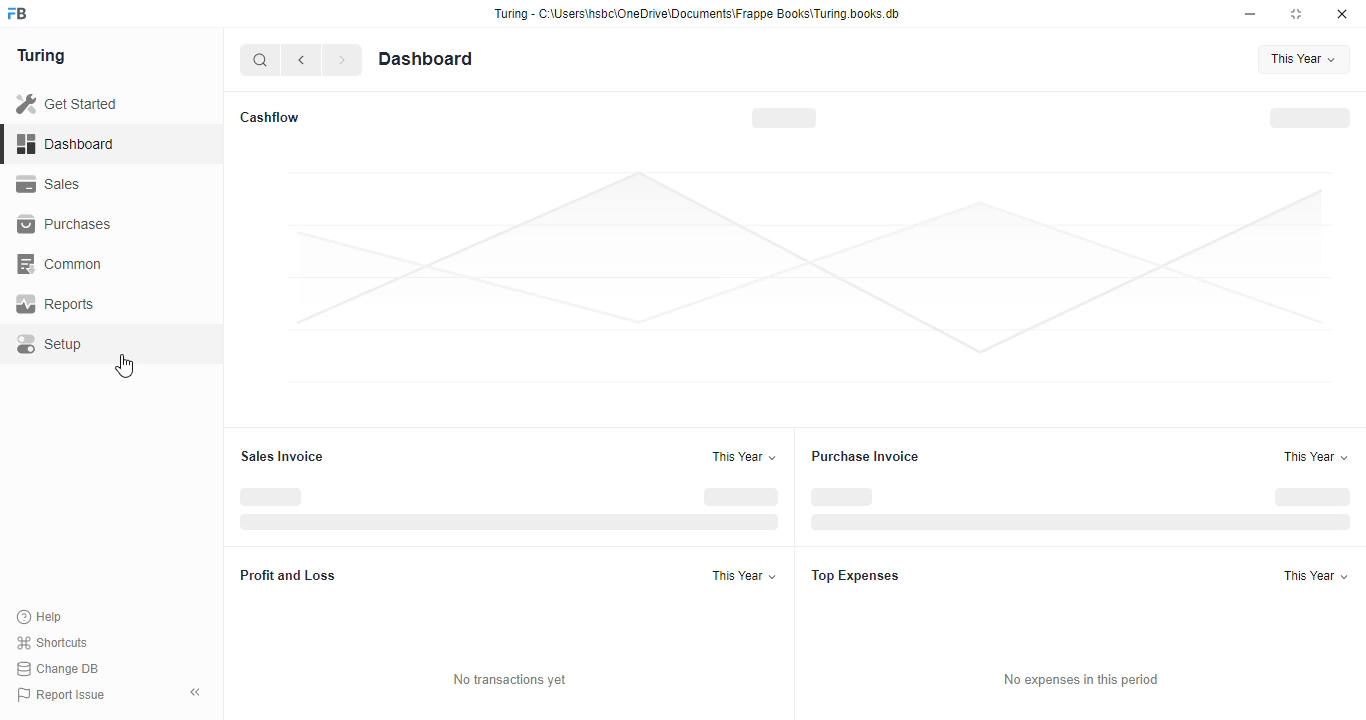 The height and width of the screenshot is (720, 1366). I want to click on setup, so click(51, 345).